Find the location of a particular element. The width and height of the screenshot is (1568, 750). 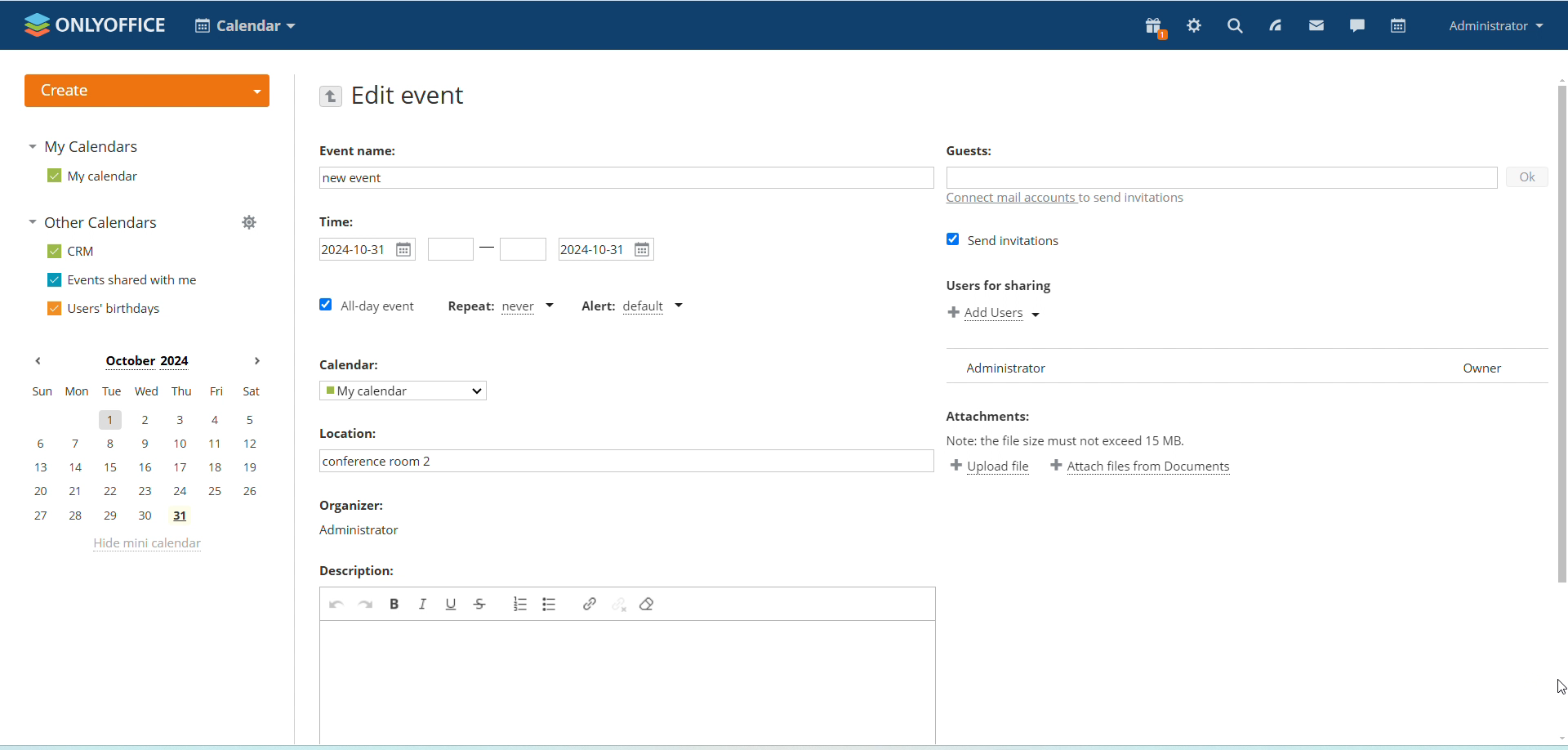

scrollbar is located at coordinates (1561, 336).